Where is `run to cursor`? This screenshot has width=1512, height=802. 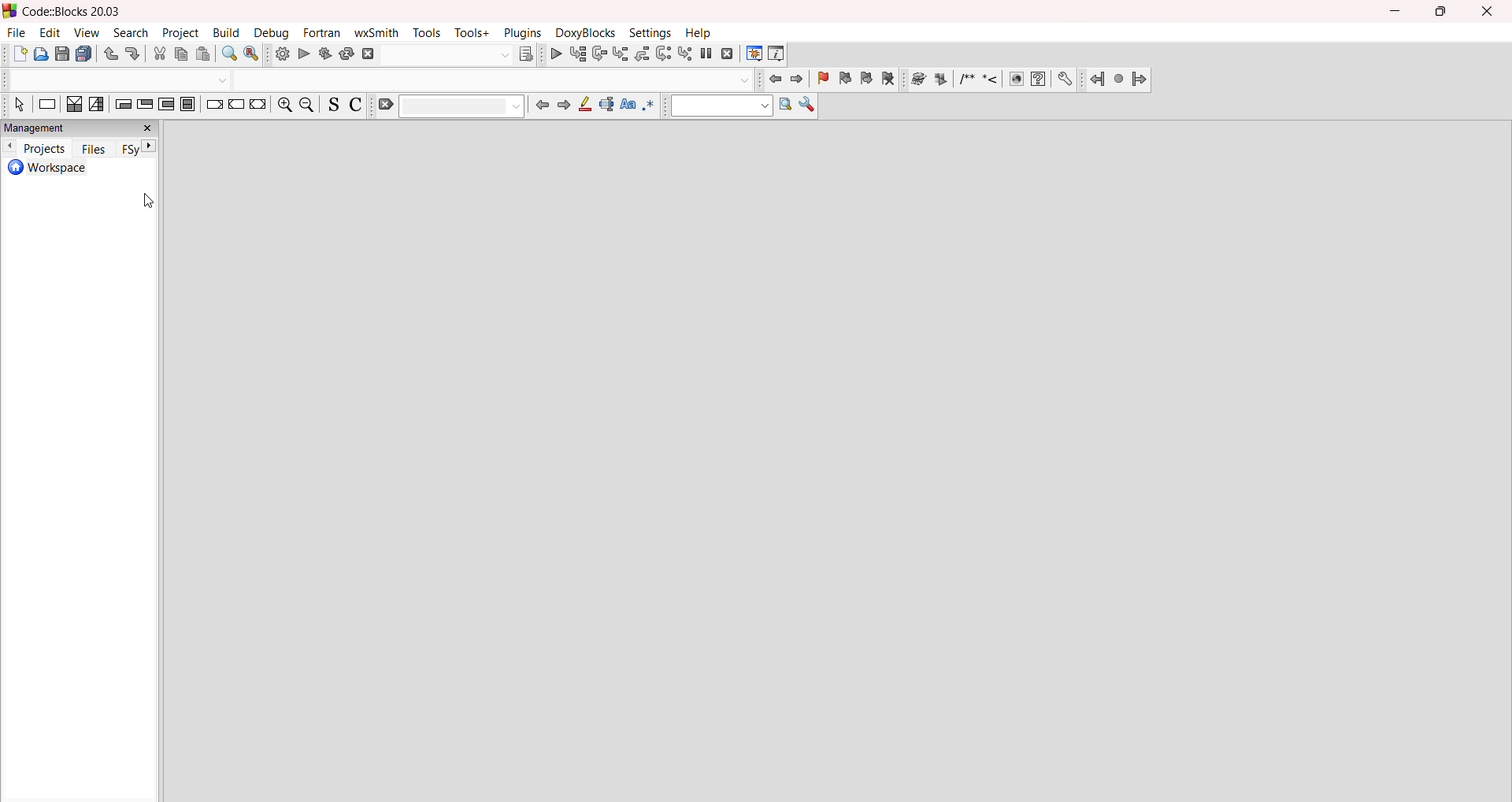 run to cursor is located at coordinates (577, 54).